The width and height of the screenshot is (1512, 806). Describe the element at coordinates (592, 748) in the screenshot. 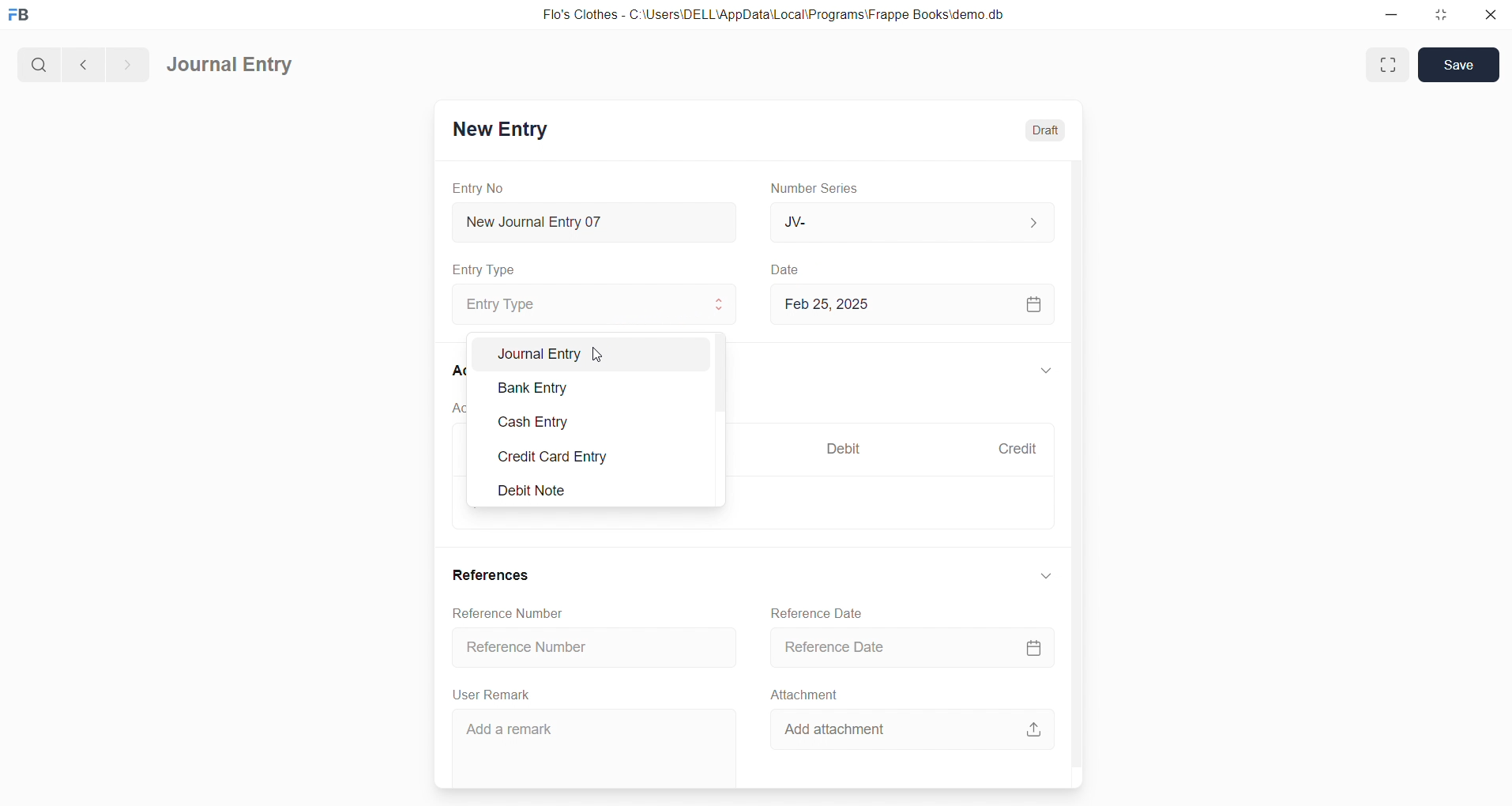

I see `‘Add a remark` at that location.